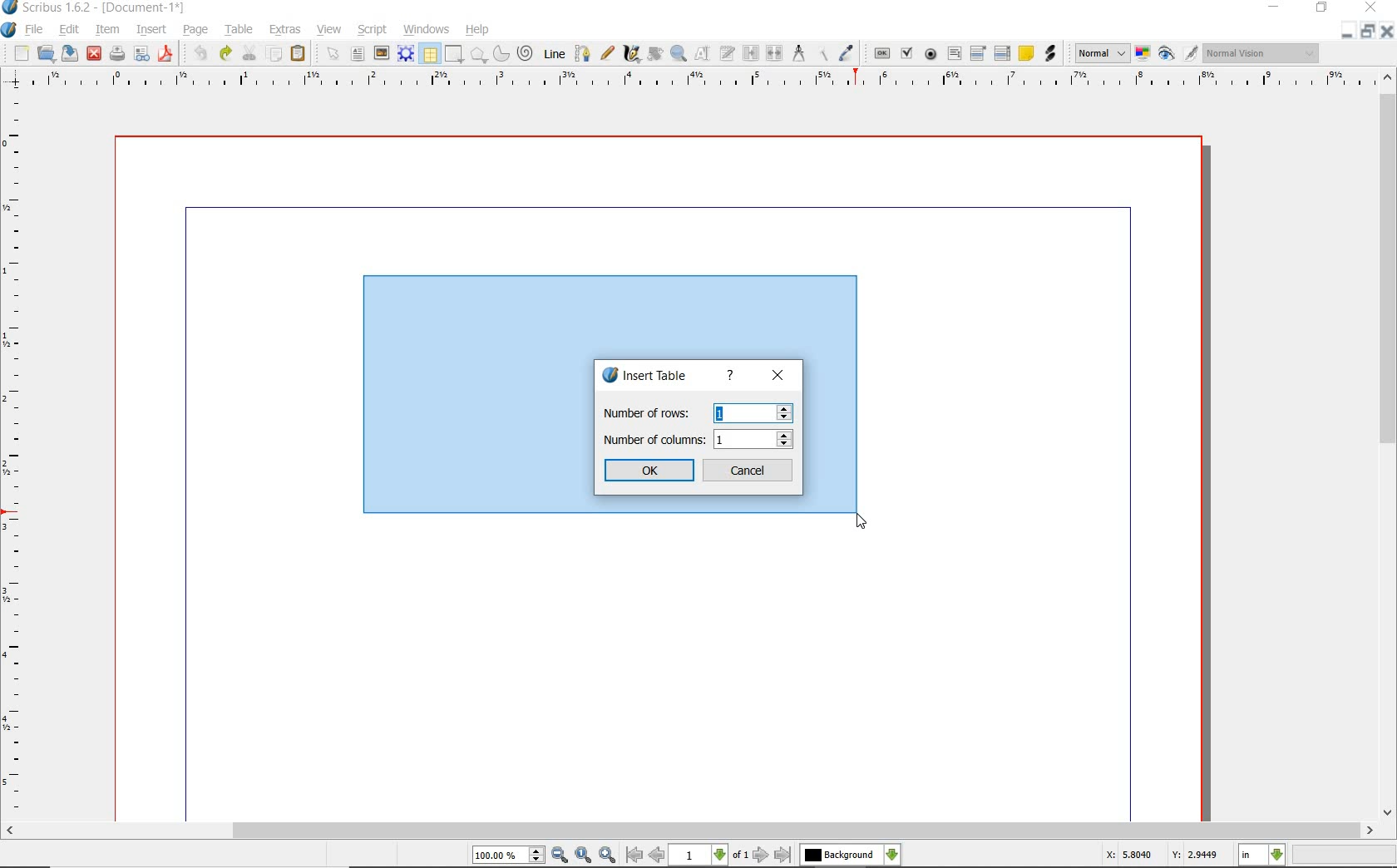 Image resolution: width=1397 pixels, height=868 pixels. Describe the element at coordinates (560, 856) in the screenshot. I see `zoom out` at that location.